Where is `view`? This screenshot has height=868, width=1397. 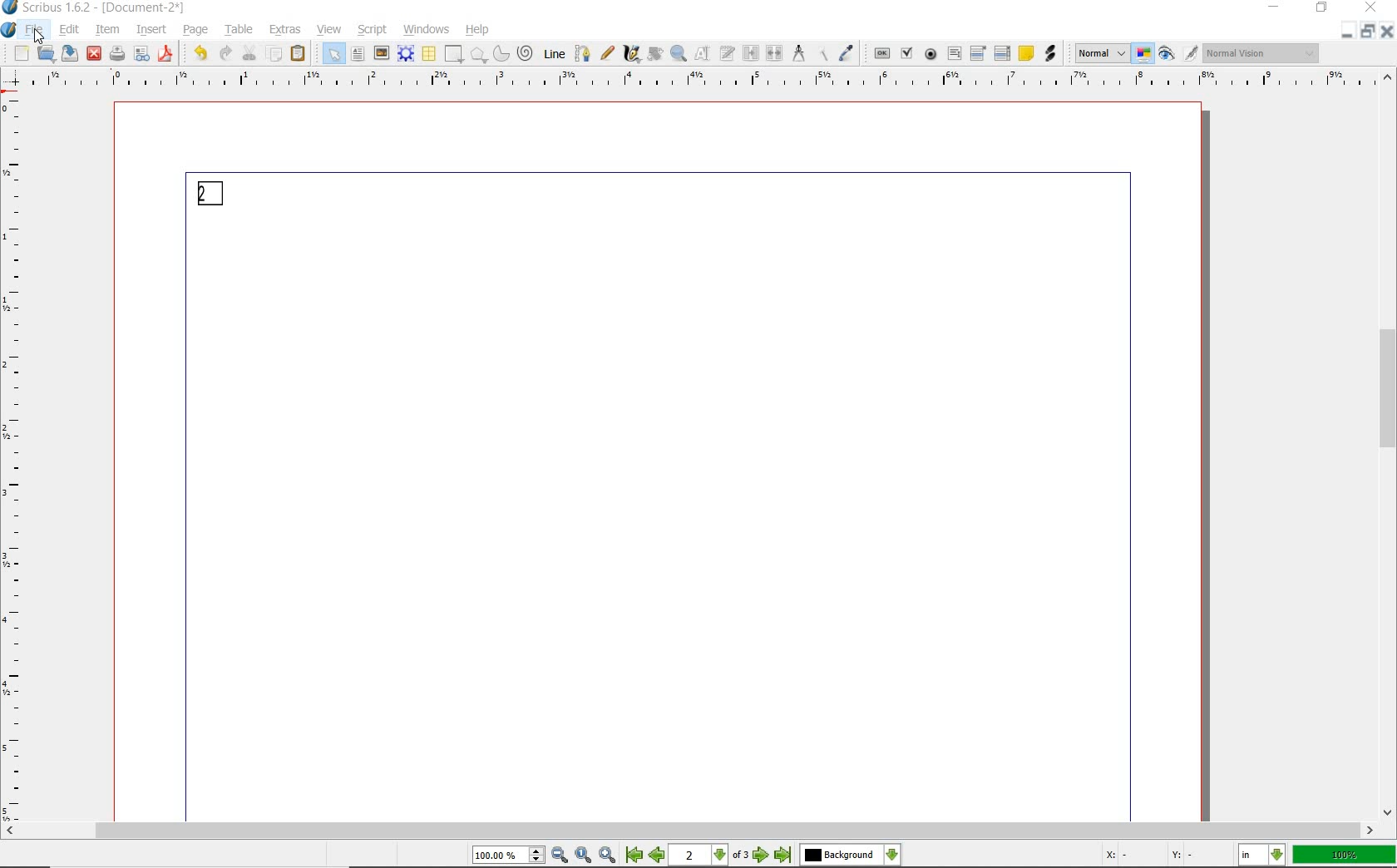
view is located at coordinates (328, 29).